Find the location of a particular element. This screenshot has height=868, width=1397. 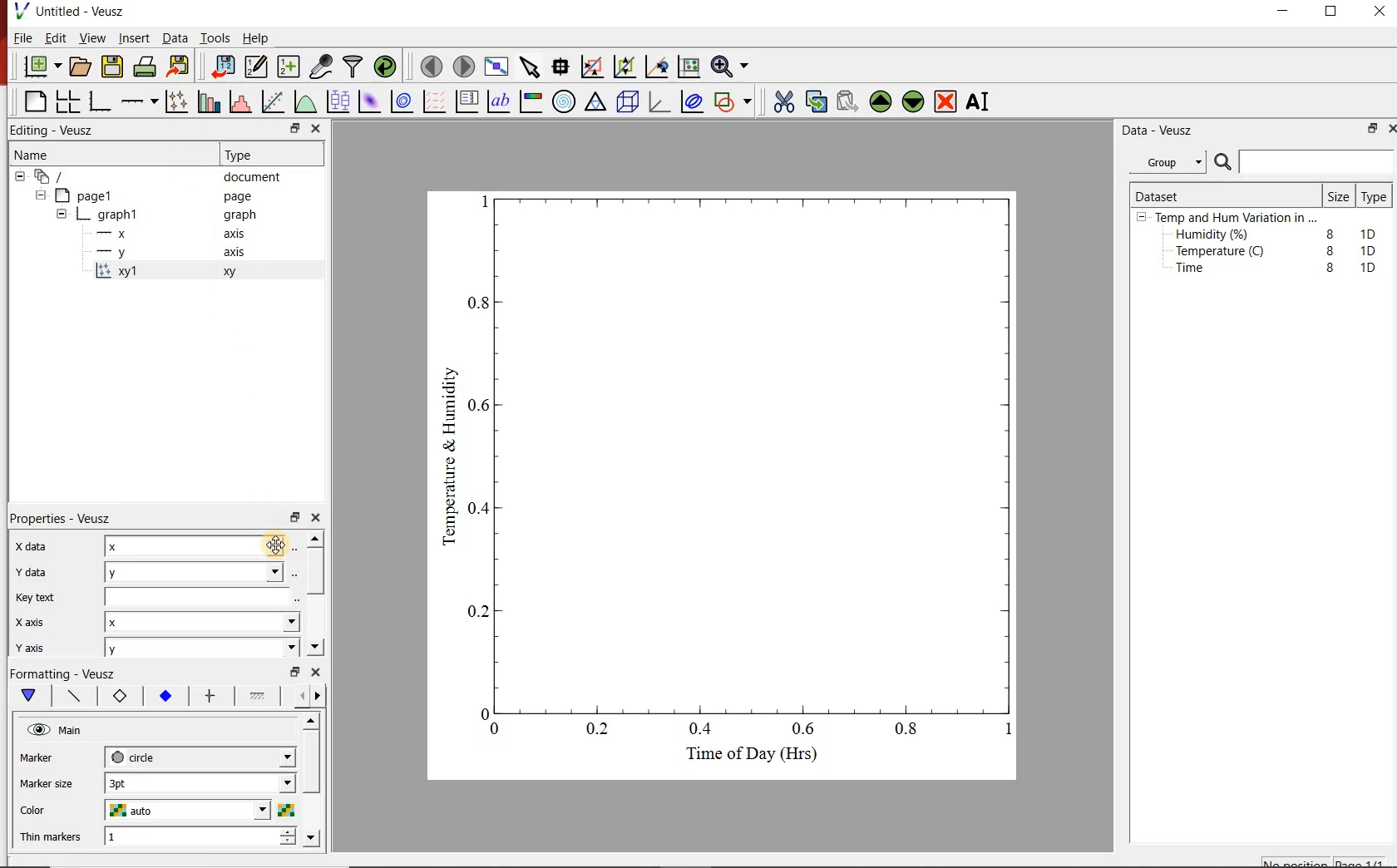

plot line is located at coordinates (75, 697).